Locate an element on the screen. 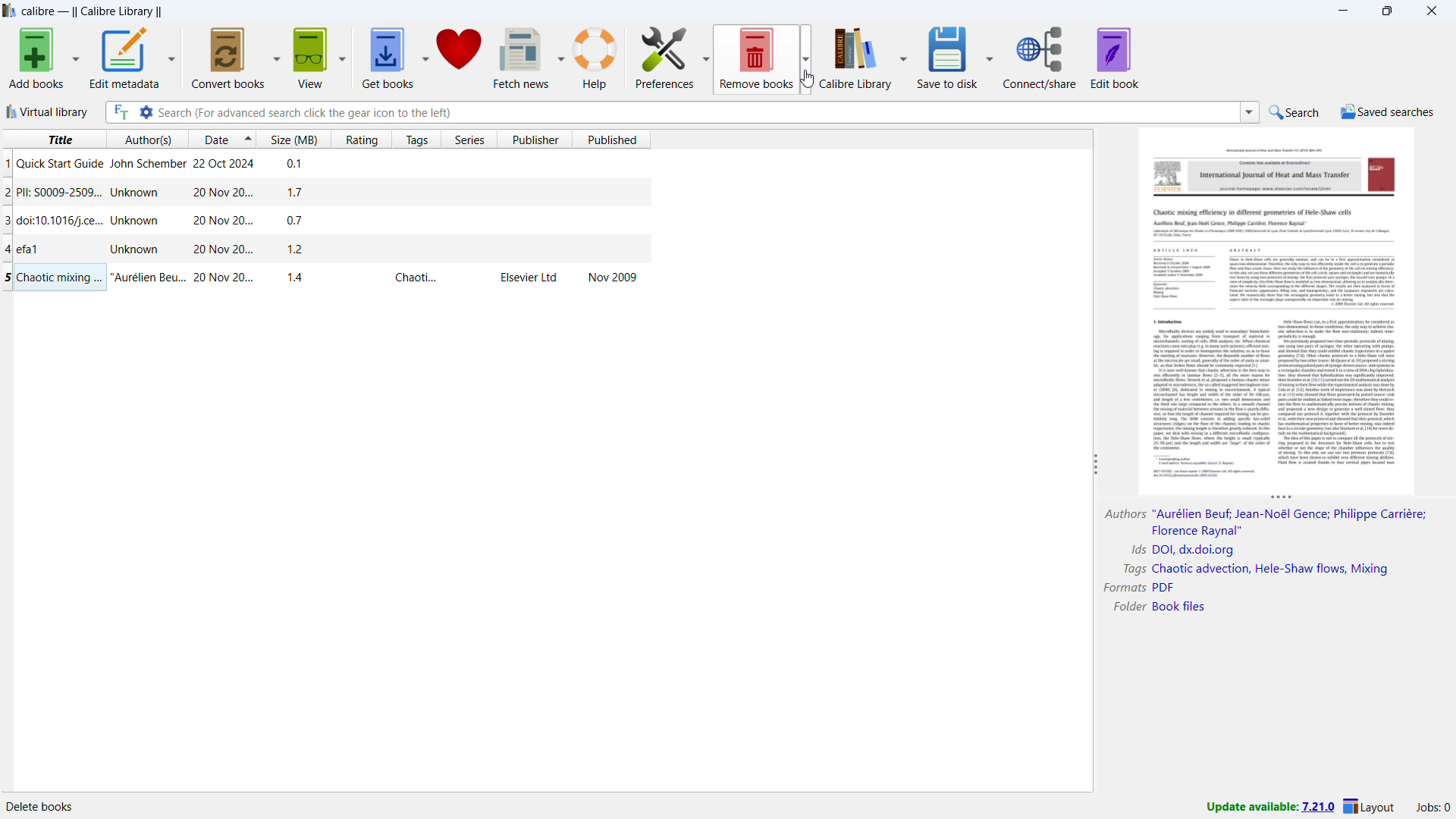 The height and width of the screenshot is (819, 1456). cursor is located at coordinates (807, 79).